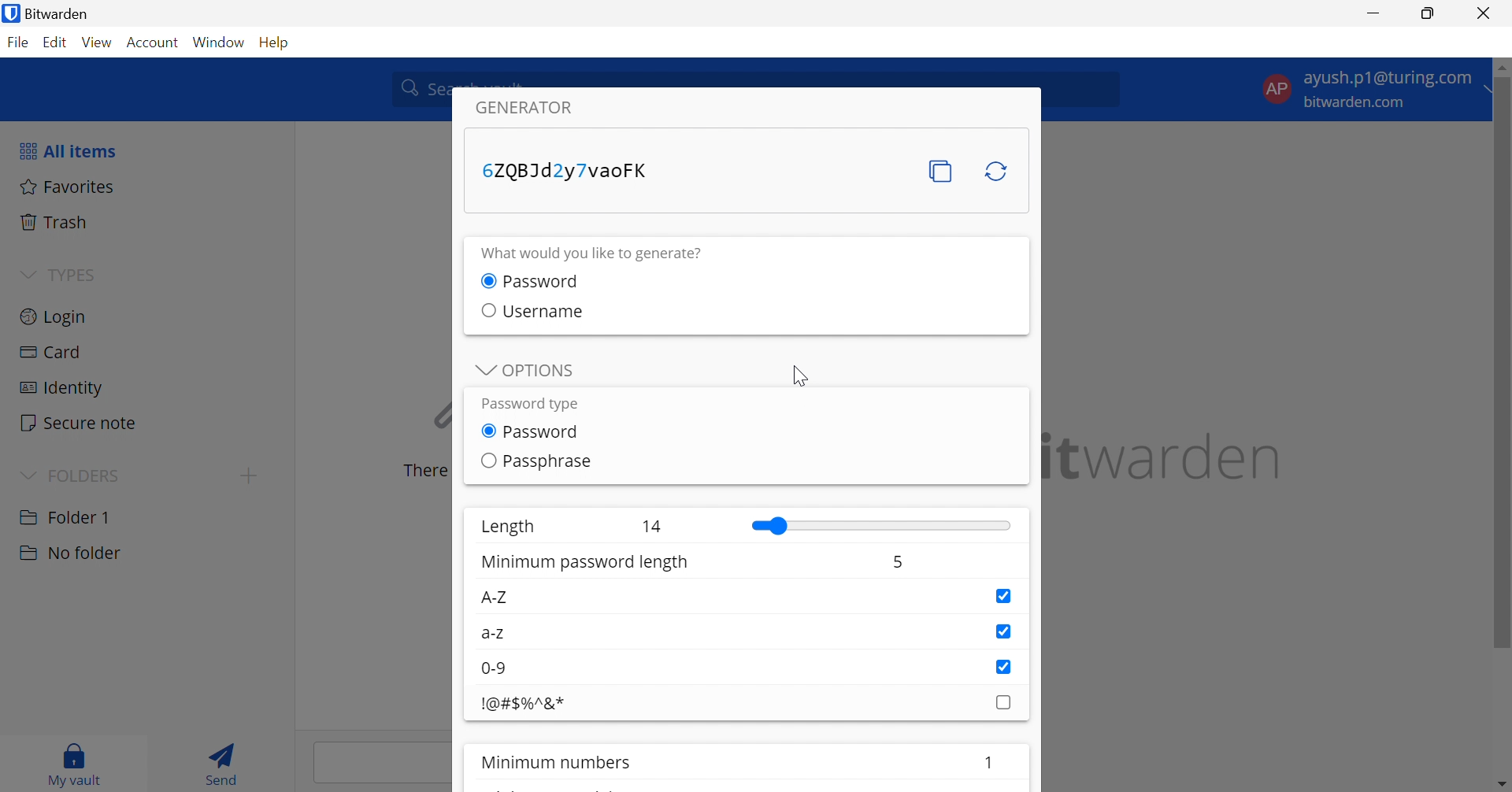  What do you see at coordinates (602, 254) in the screenshot?
I see `What would you like to generate?` at bounding box center [602, 254].